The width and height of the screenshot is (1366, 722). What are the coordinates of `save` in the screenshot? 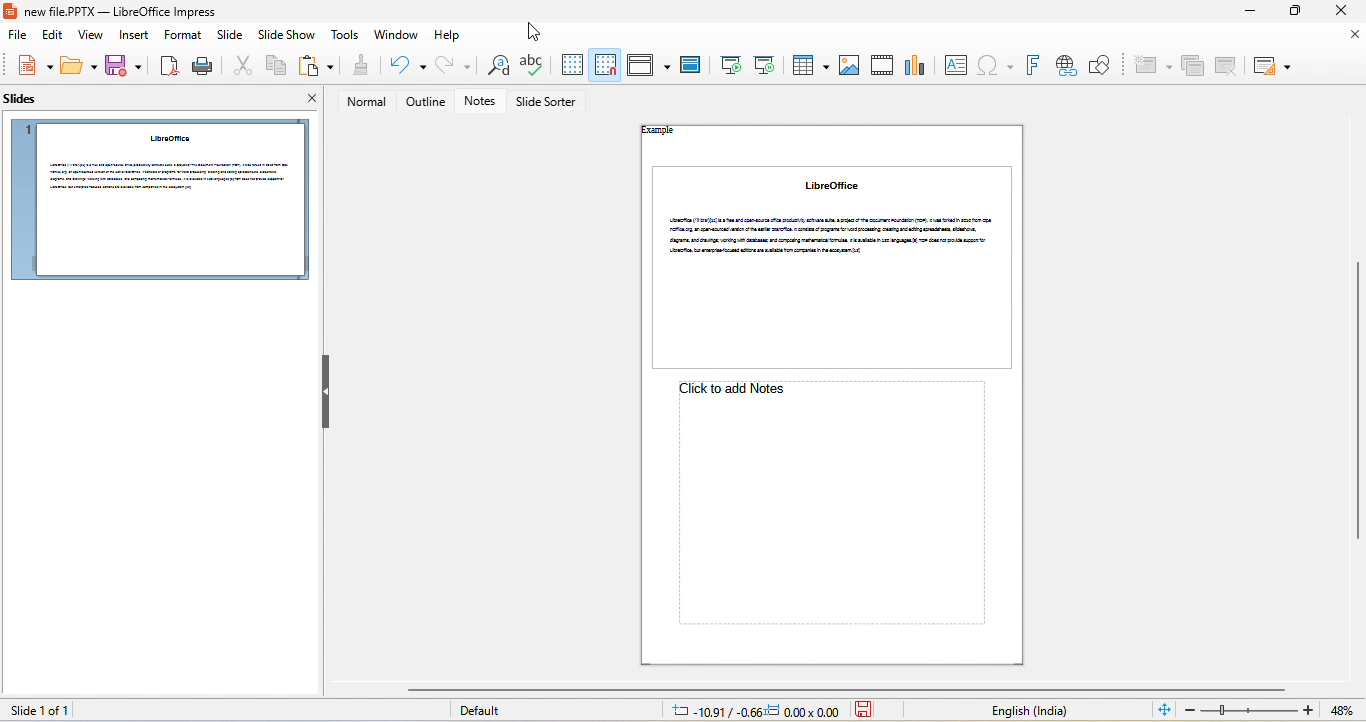 It's located at (124, 67).